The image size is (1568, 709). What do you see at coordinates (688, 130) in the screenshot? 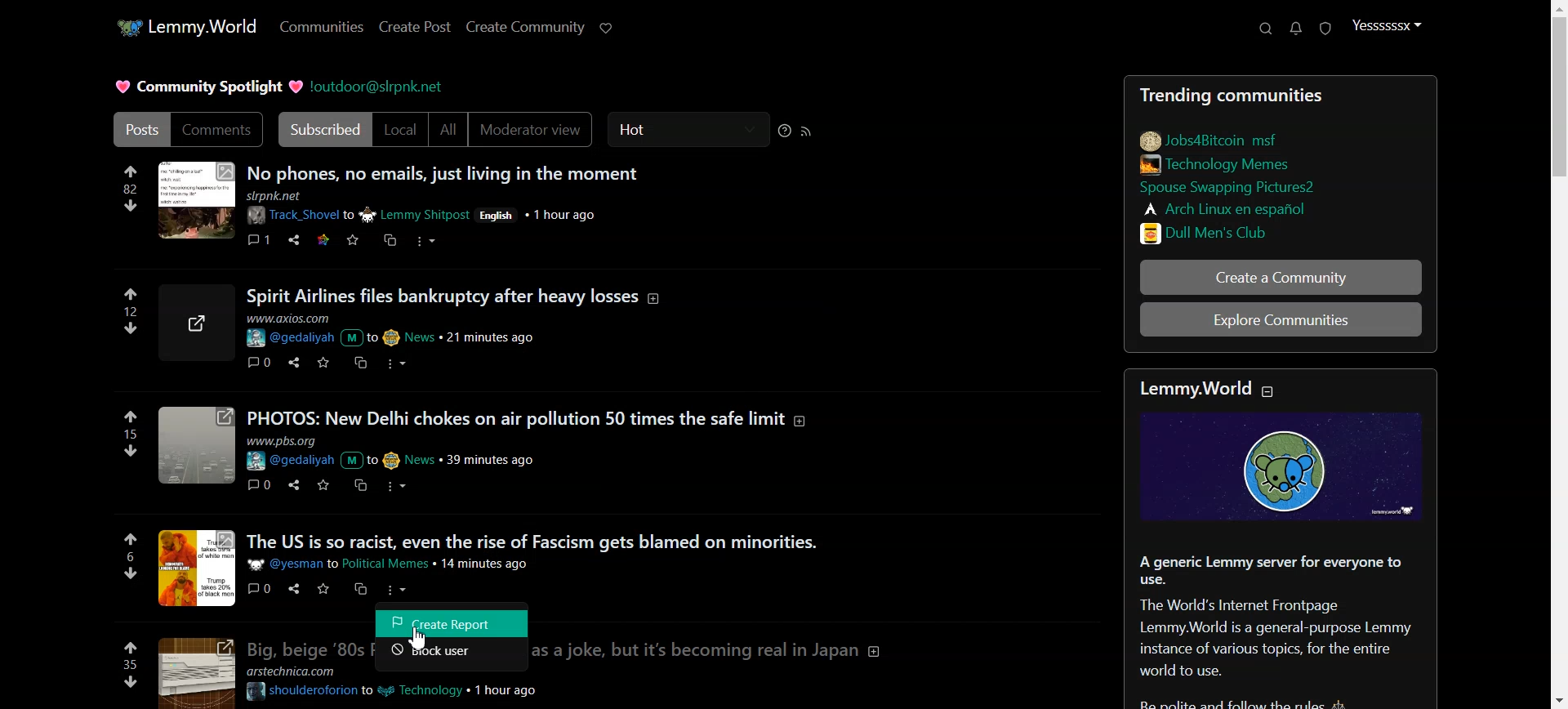
I see `Hot` at bounding box center [688, 130].